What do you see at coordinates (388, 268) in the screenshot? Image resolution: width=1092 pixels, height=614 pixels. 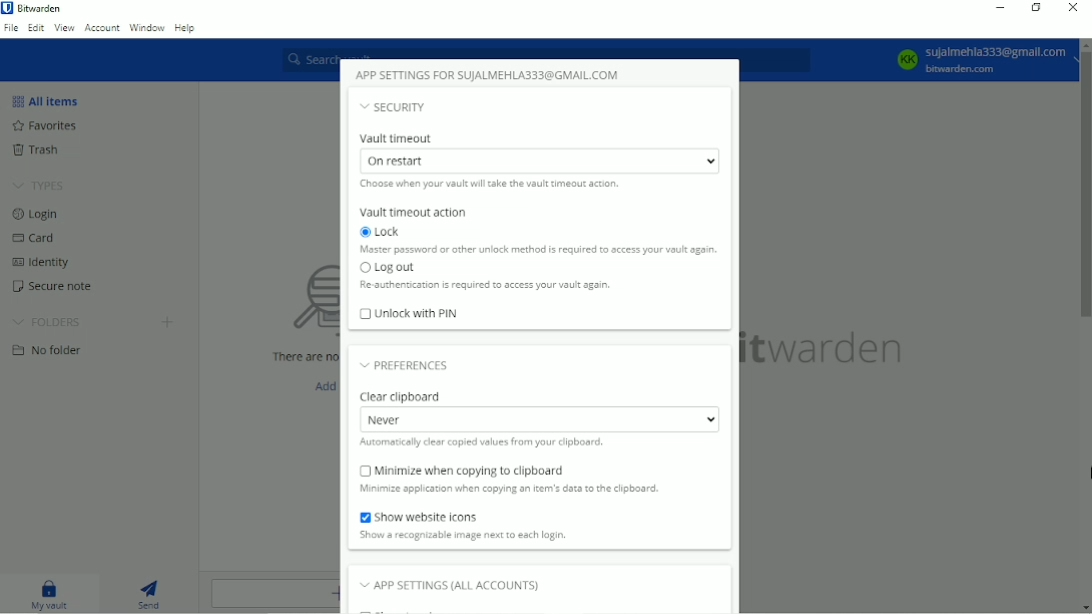 I see `Logout` at bounding box center [388, 268].